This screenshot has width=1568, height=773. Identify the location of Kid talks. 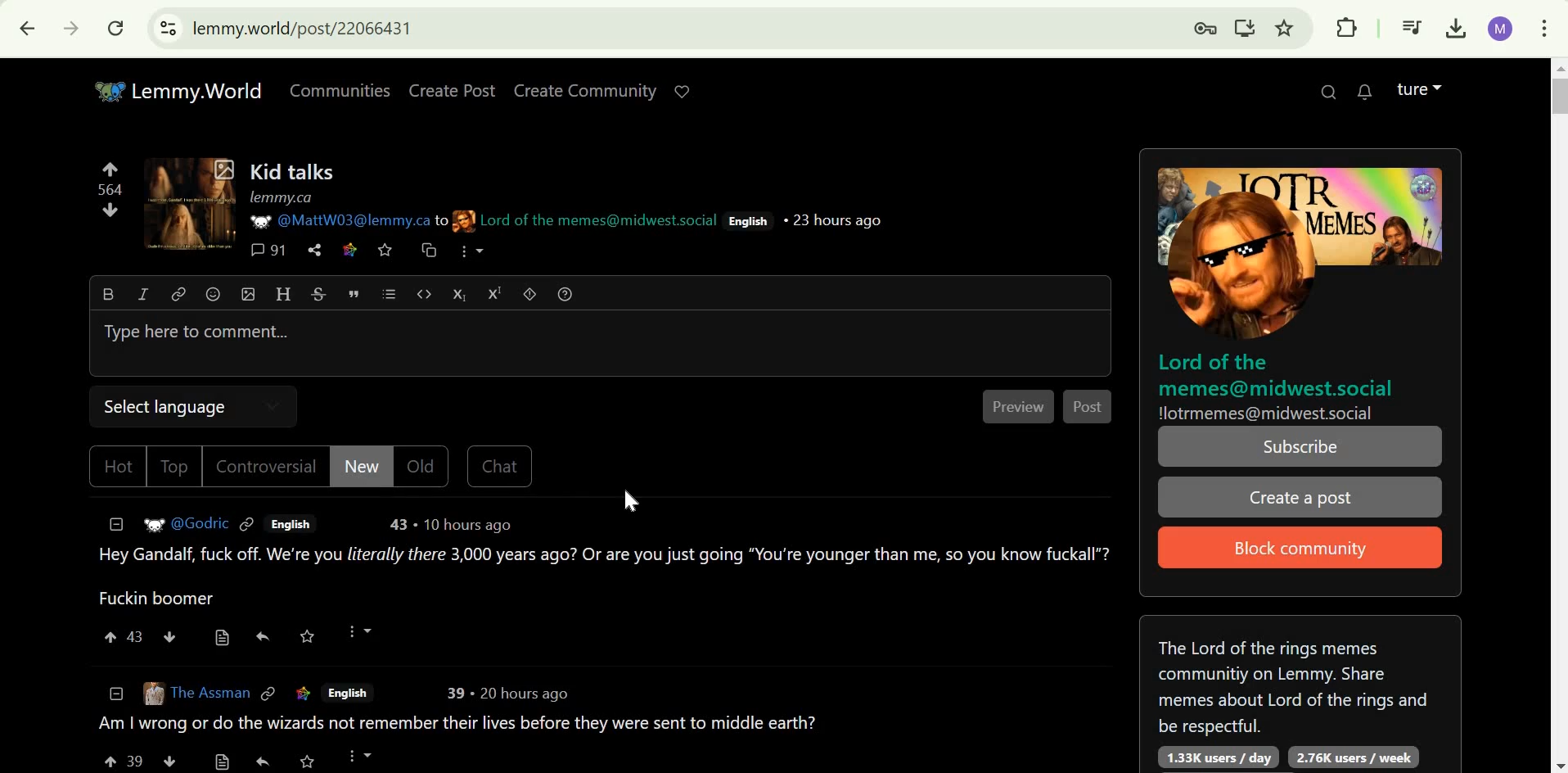
(293, 171).